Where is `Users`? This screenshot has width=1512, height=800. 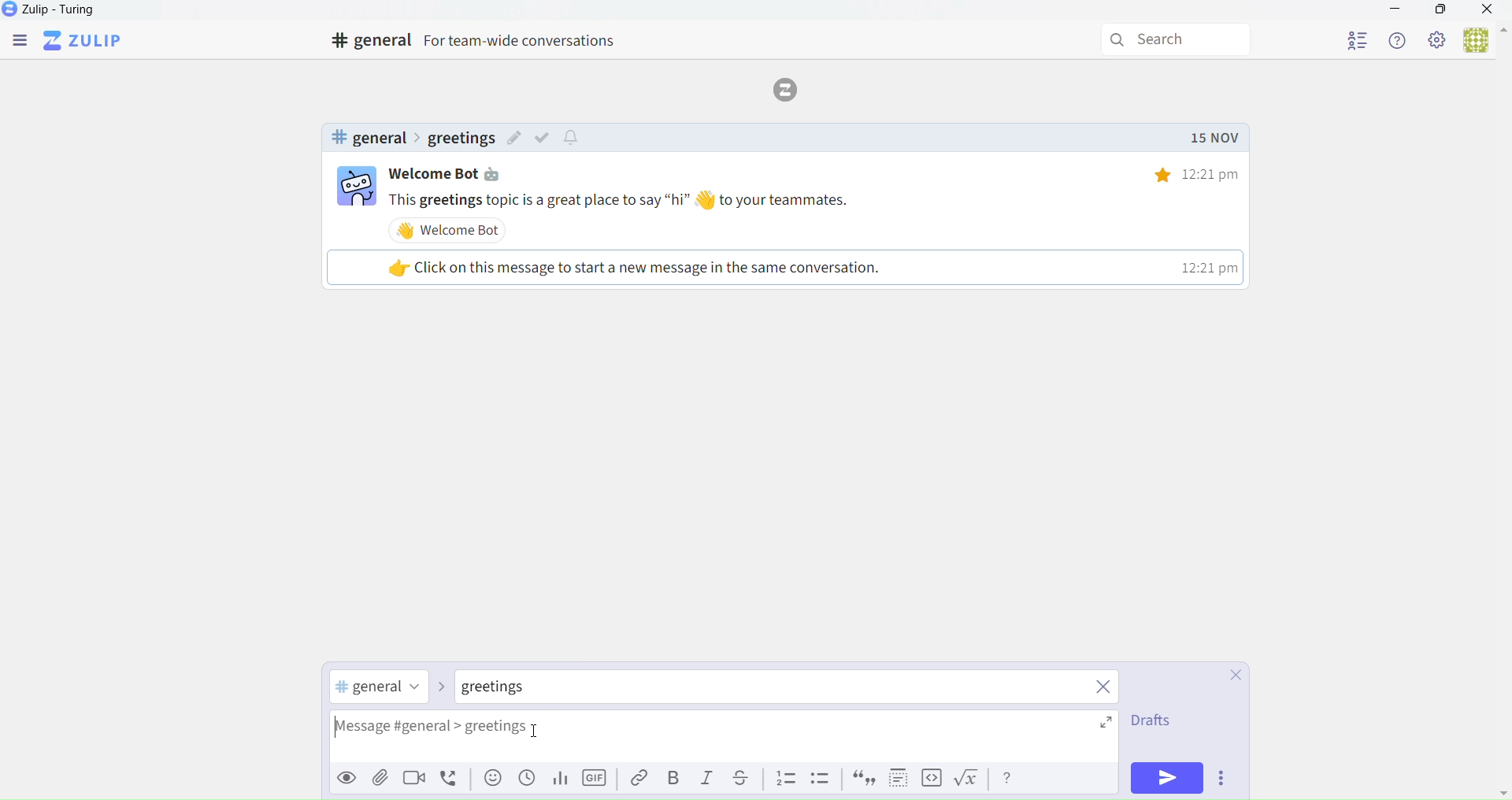 Users is located at coordinates (1484, 42).